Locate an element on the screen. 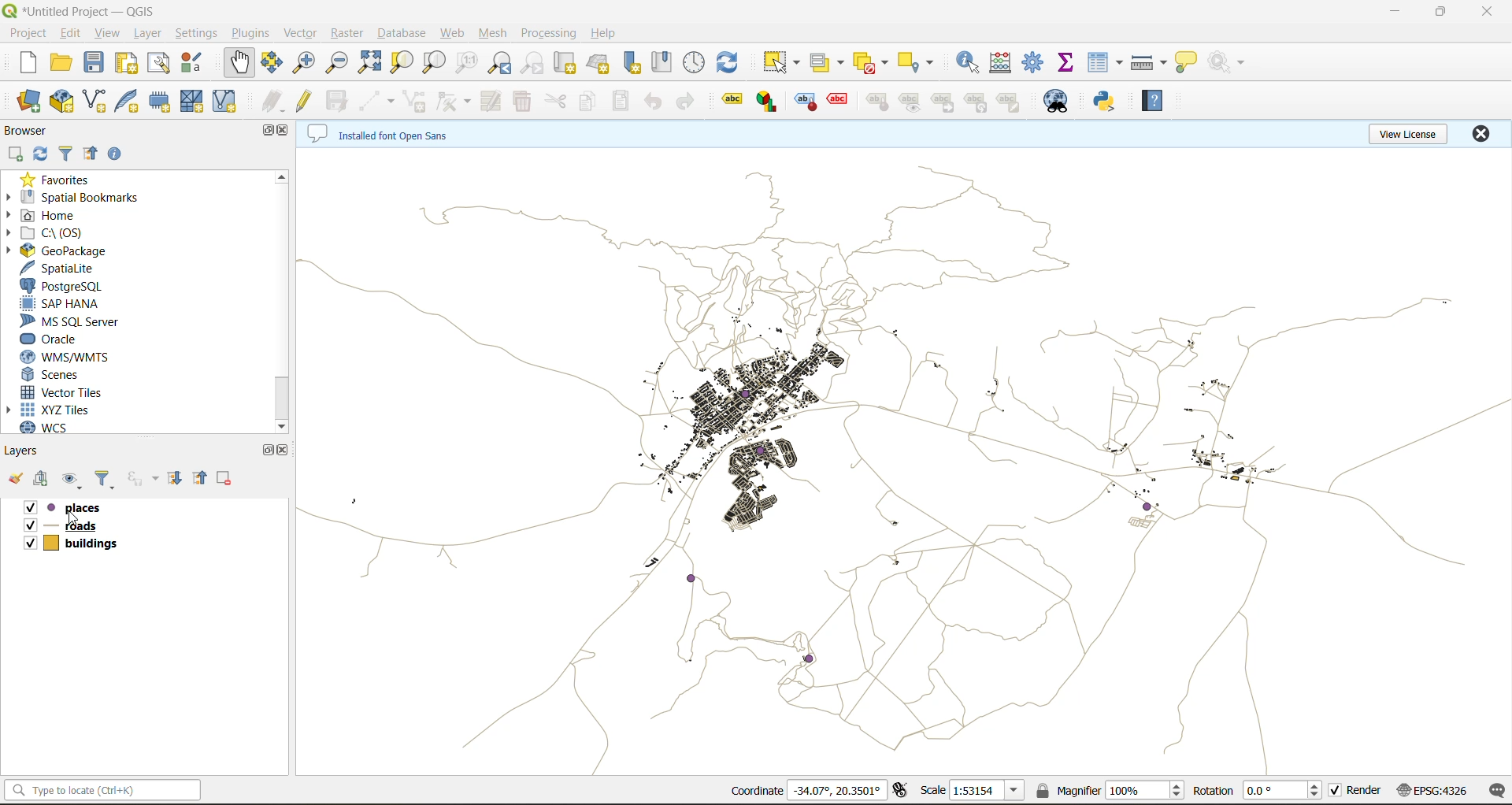  enable properties is located at coordinates (120, 157).